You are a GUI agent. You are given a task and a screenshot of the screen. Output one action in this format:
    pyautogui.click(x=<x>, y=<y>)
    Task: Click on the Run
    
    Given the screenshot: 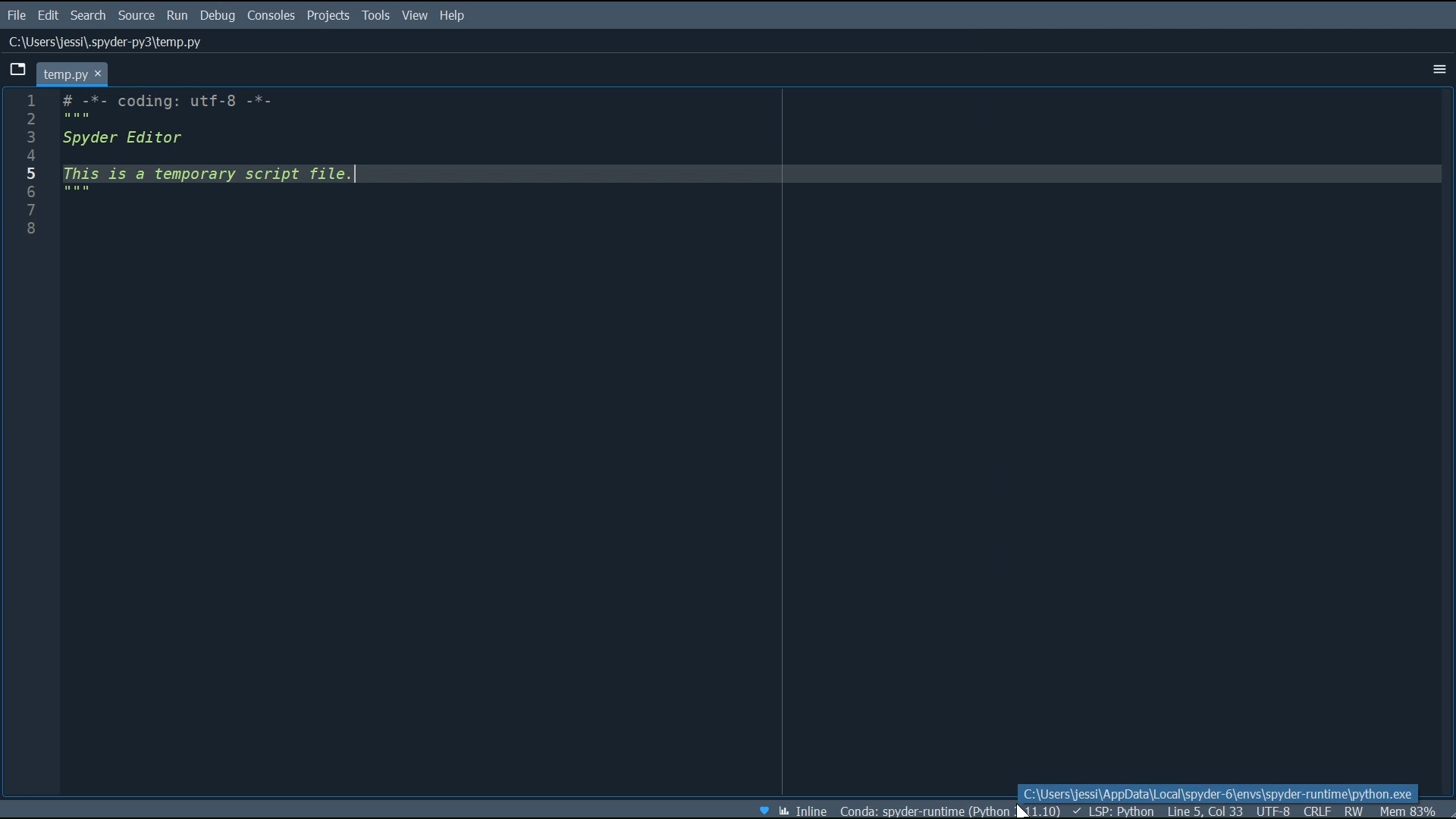 What is the action you would take?
    pyautogui.click(x=178, y=16)
    